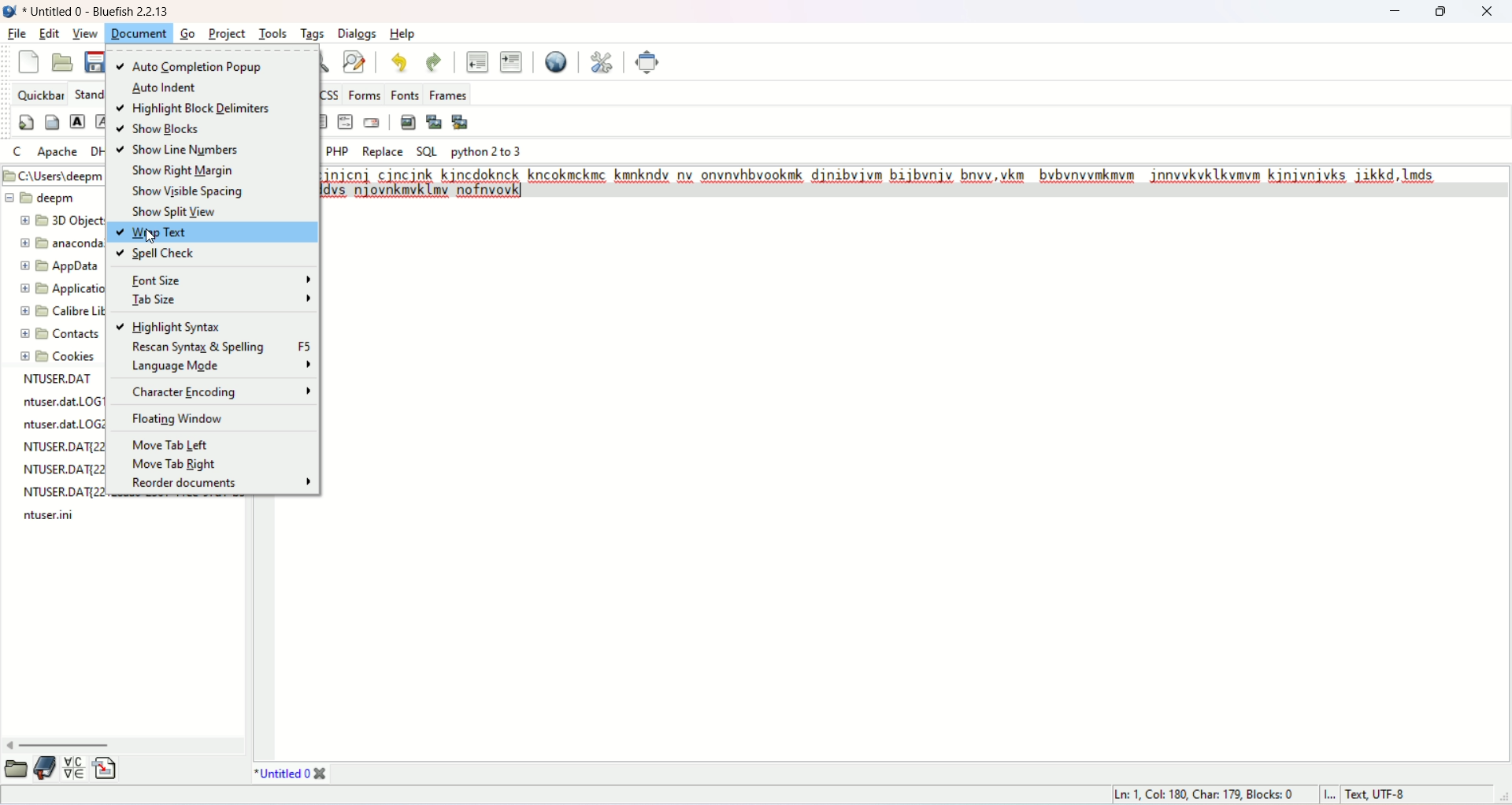  What do you see at coordinates (361, 33) in the screenshot?
I see `dialogs` at bounding box center [361, 33].